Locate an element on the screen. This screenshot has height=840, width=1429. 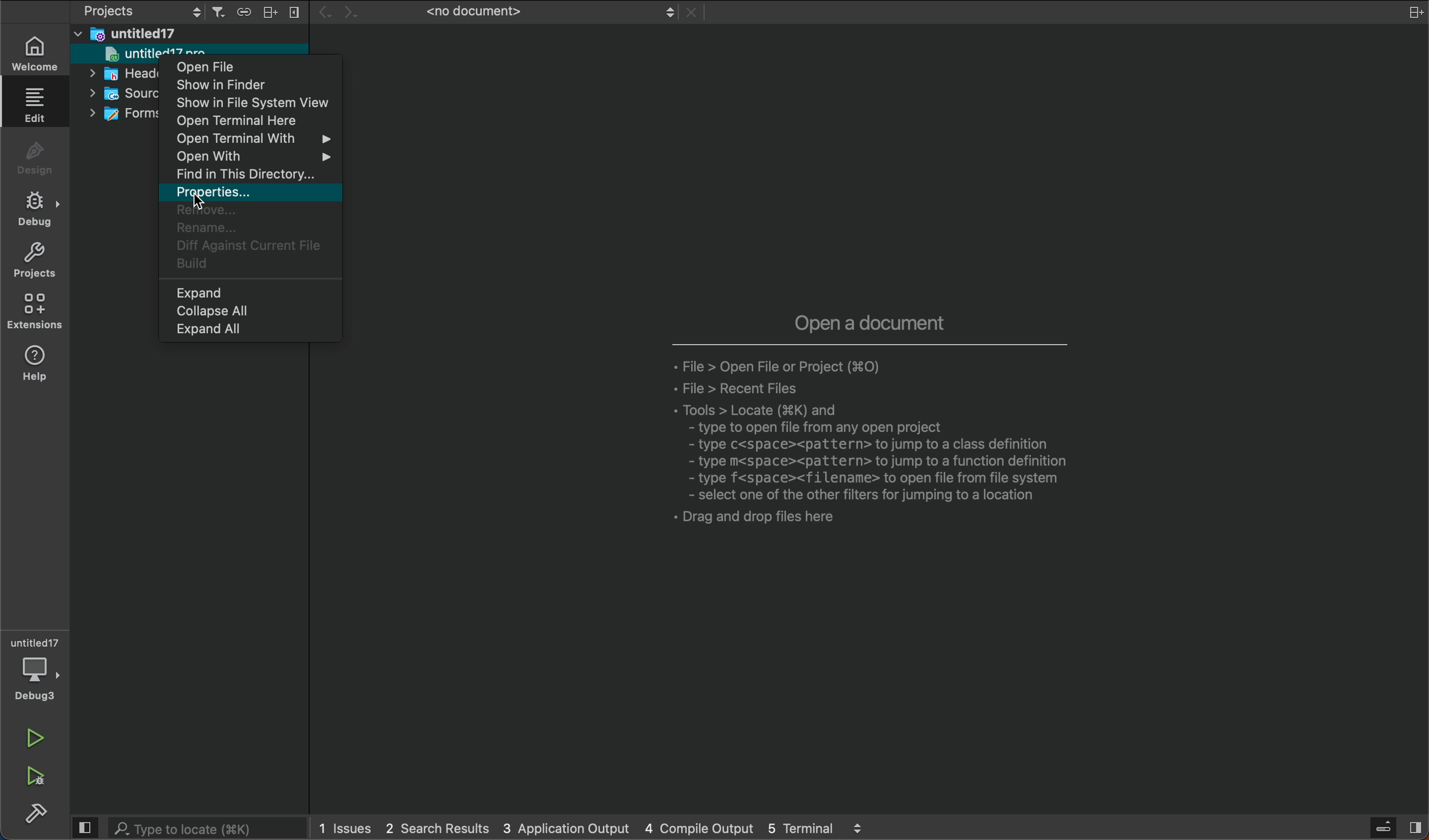
 is located at coordinates (246, 12).